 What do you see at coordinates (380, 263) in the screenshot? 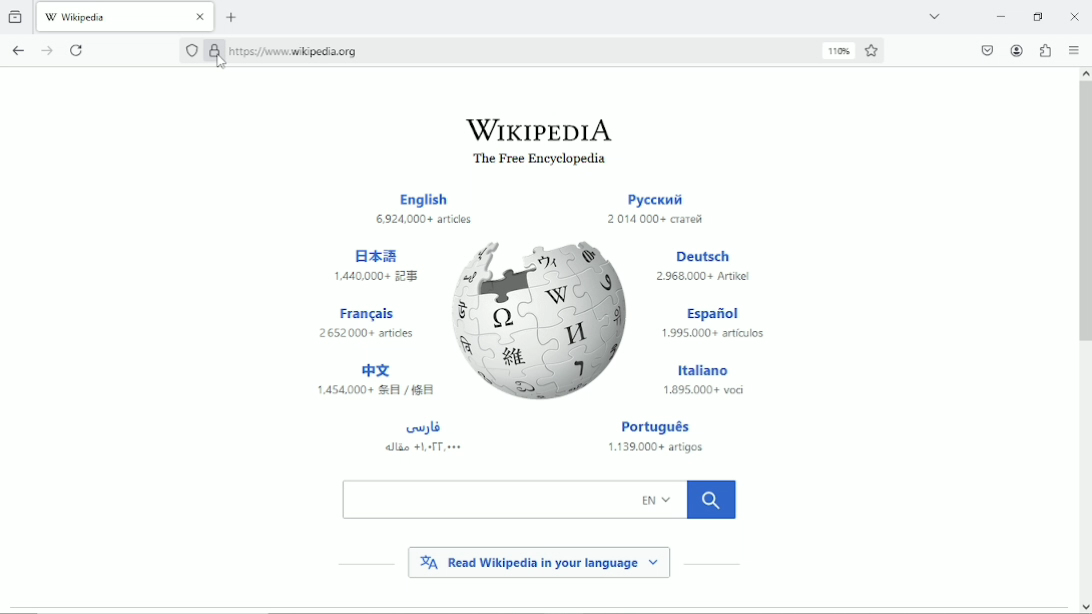
I see `Bx
1,440.000+ BE` at bounding box center [380, 263].